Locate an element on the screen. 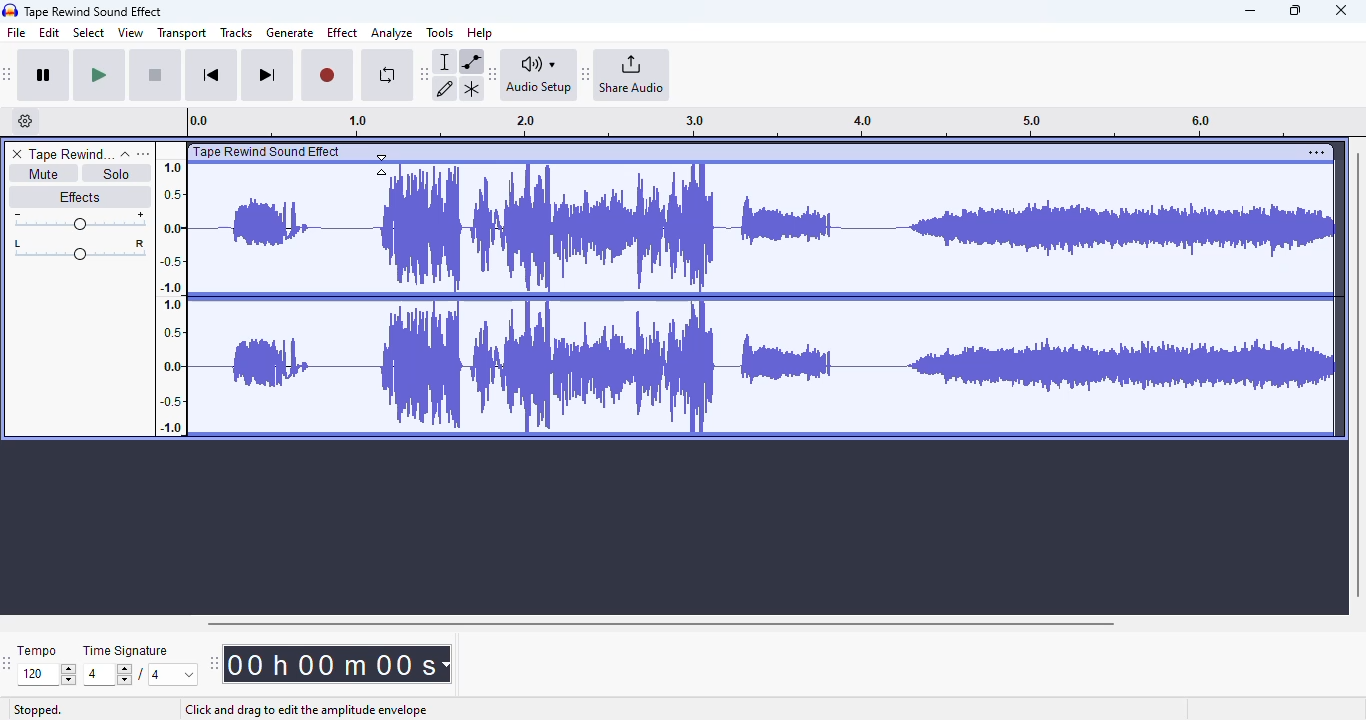 The height and width of the screenshot is (720, 1366). audio setup is located at coordinates (539, 74).